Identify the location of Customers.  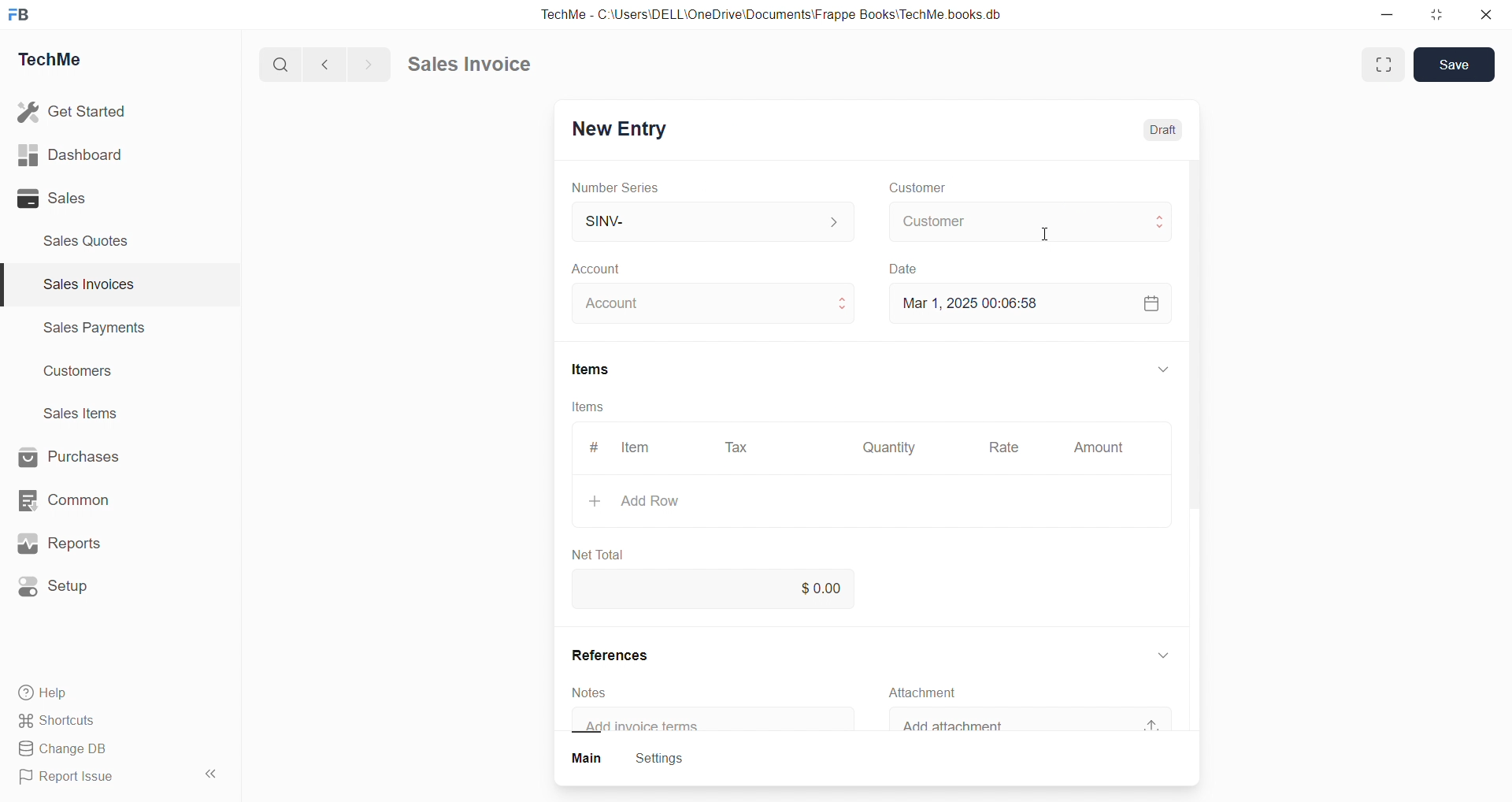
(87, 375).